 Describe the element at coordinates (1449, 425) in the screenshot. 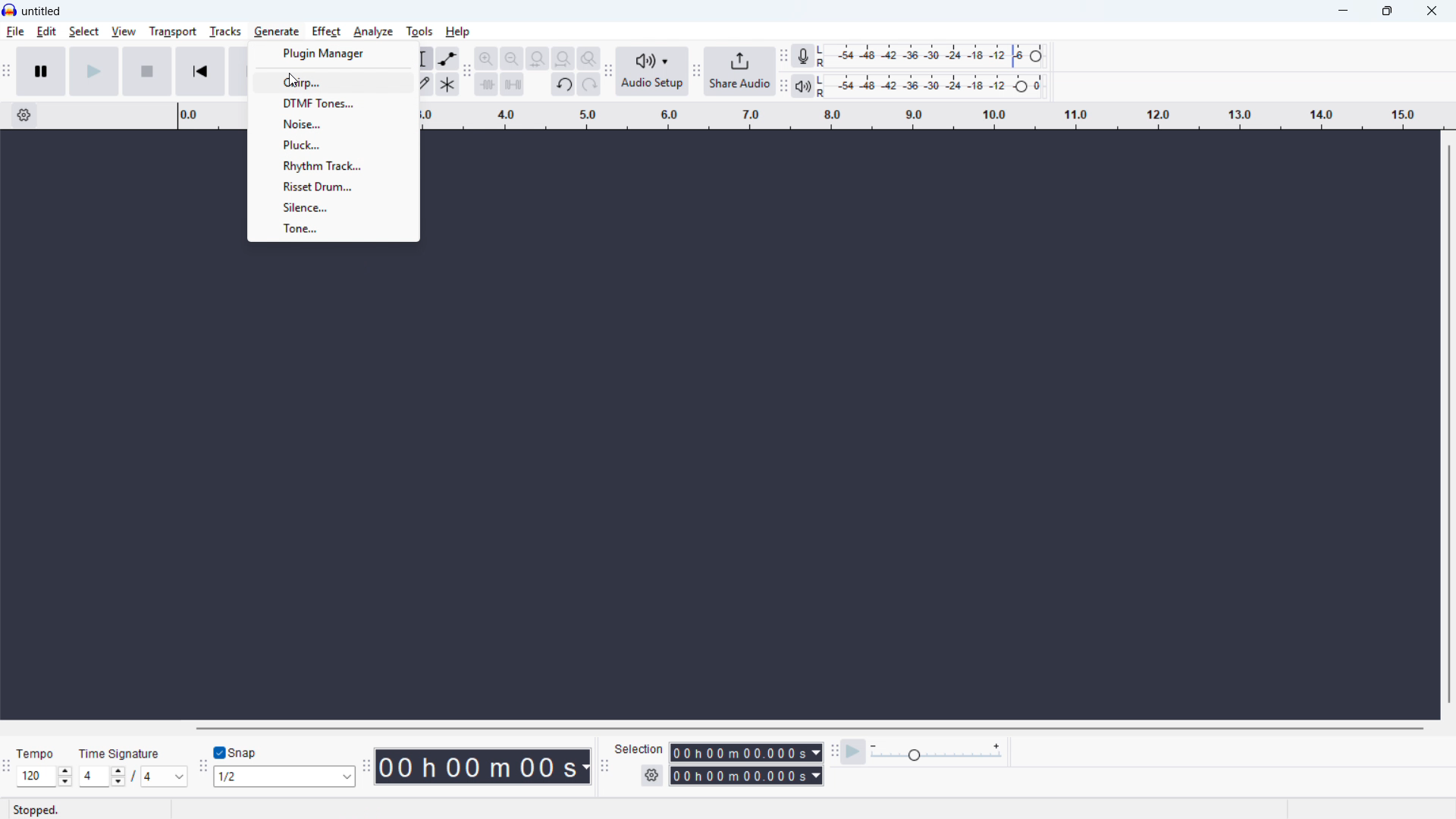

I see `vertical scrollbar` at that location.